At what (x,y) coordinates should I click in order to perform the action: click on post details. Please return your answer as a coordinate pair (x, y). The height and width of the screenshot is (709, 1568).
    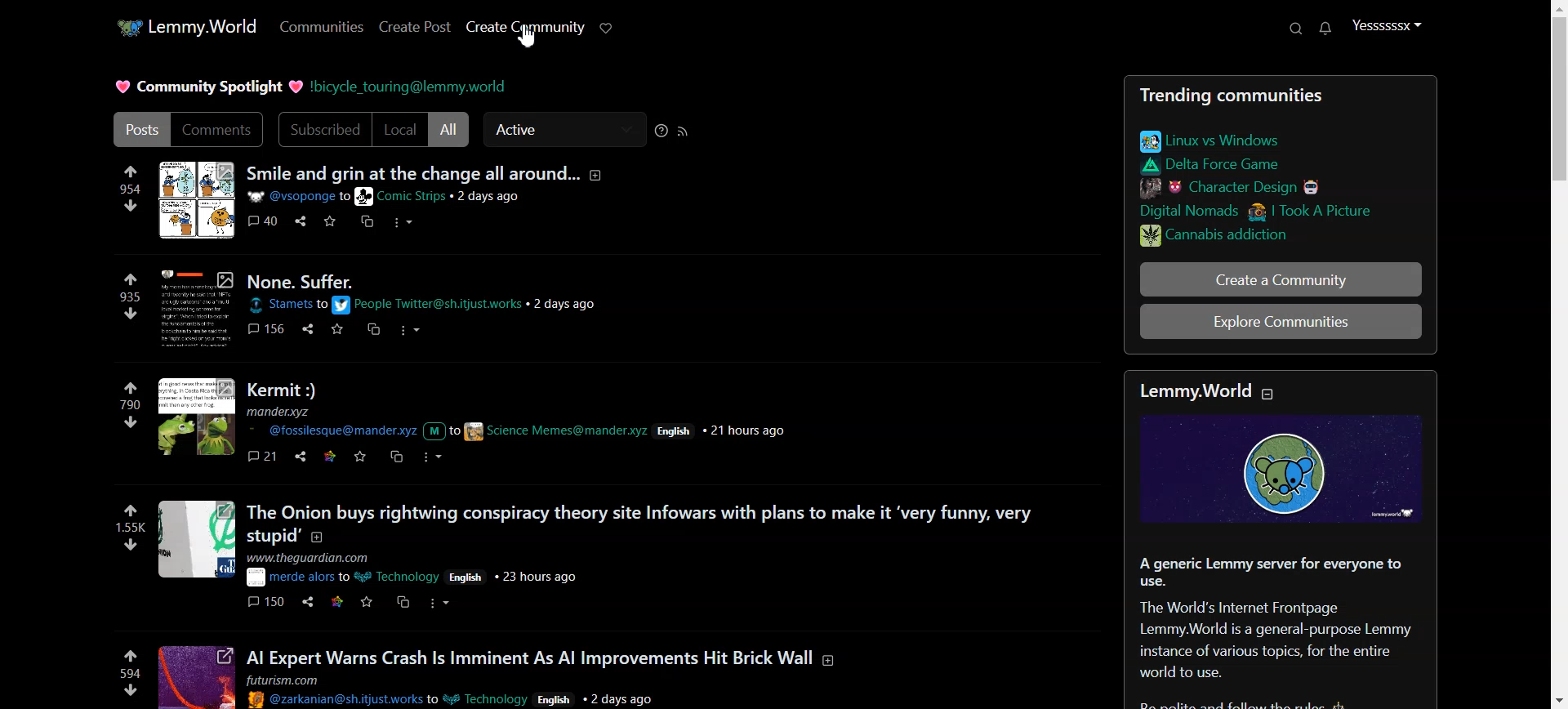
    Looking at the image, I should click on (467, 690).